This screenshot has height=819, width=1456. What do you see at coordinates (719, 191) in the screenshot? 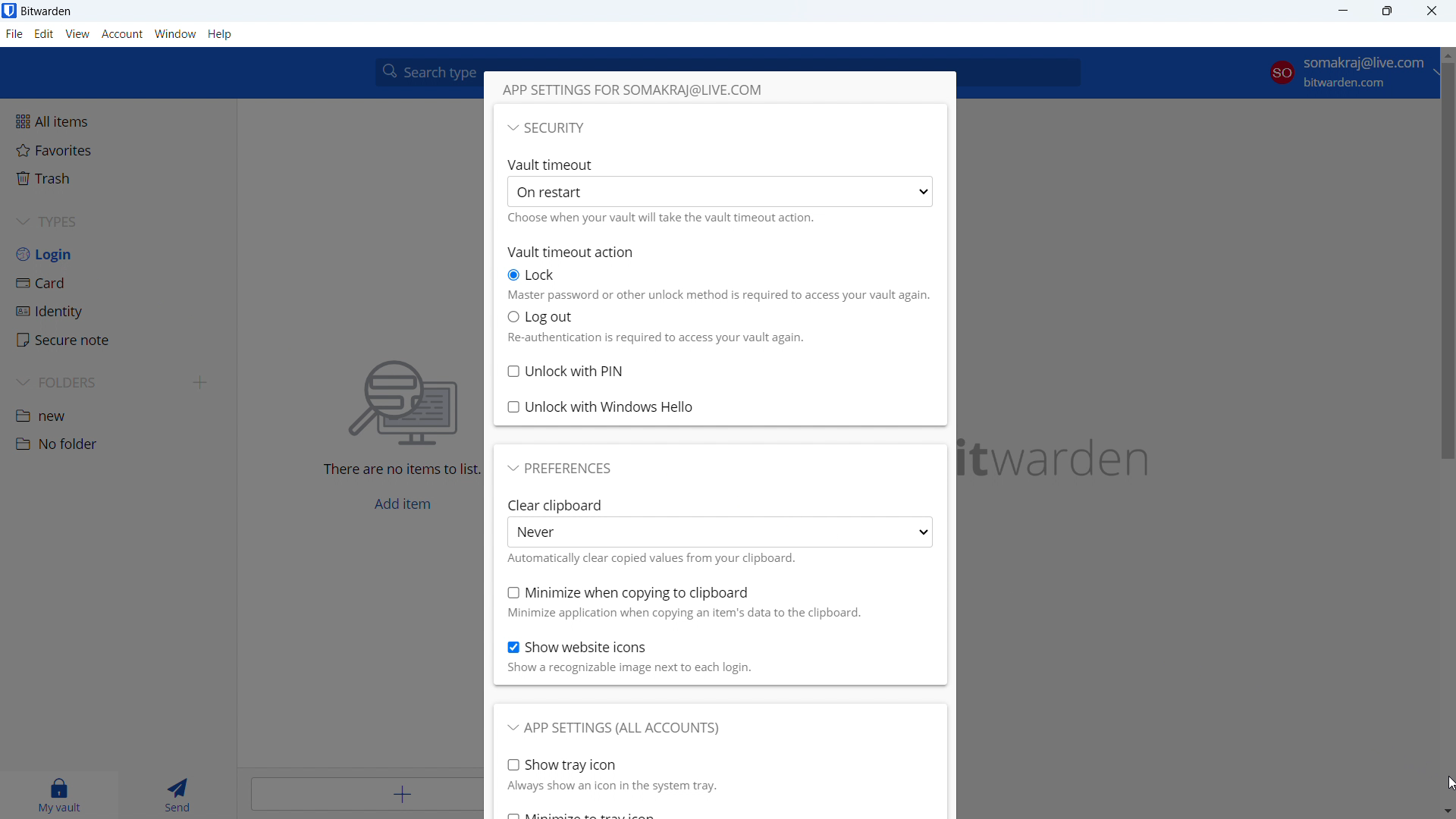
I see `select vault timeout` at bounding box center [719, 191].